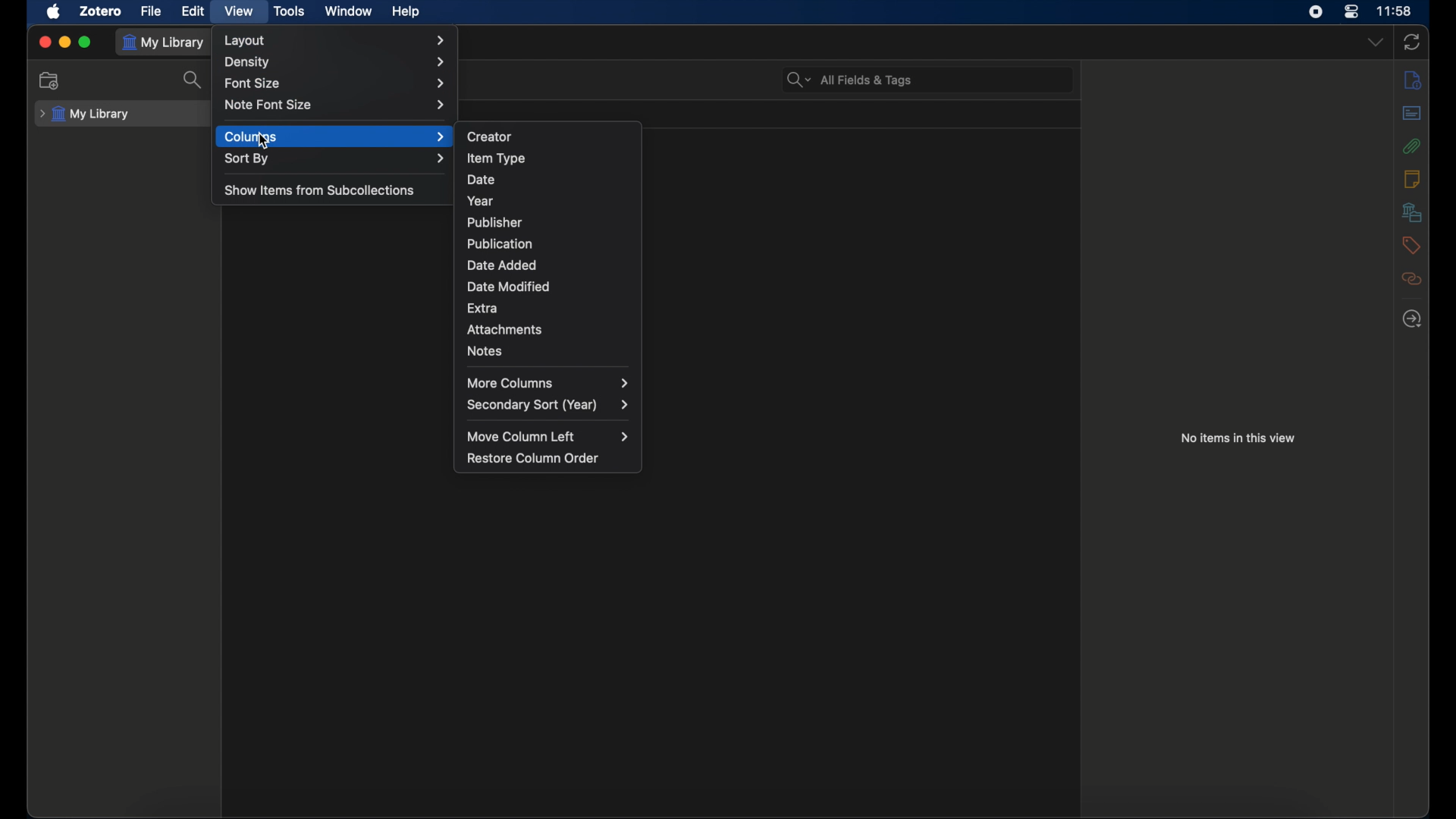 The width and height of the screenshot is (1456, 819). What do you see at coordinates (85, 115) in the screenshot?
I see `my library` at bounding box center [85, 115].